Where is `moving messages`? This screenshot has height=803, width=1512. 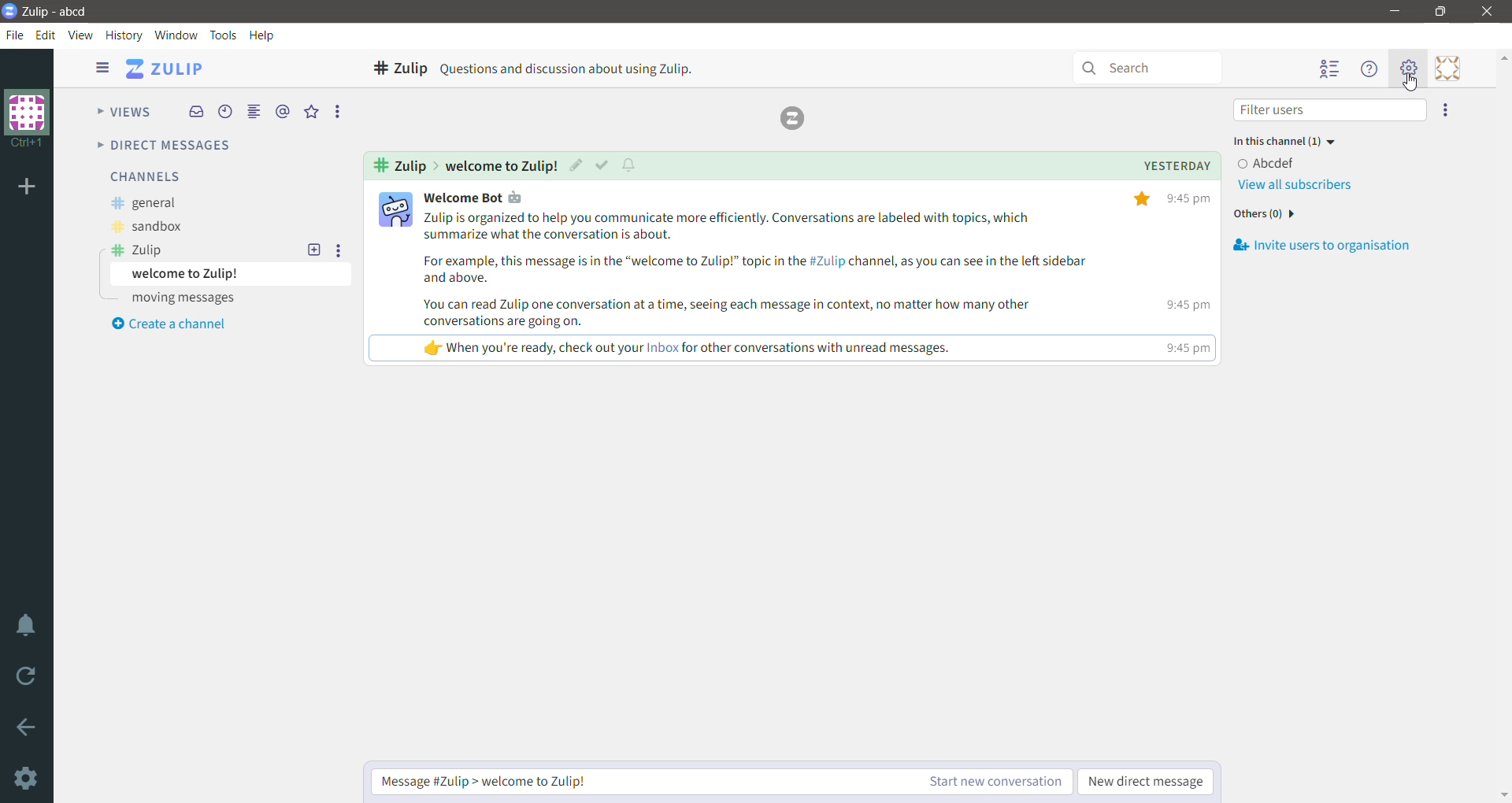 moving messages is located at coordinates (187, 299).